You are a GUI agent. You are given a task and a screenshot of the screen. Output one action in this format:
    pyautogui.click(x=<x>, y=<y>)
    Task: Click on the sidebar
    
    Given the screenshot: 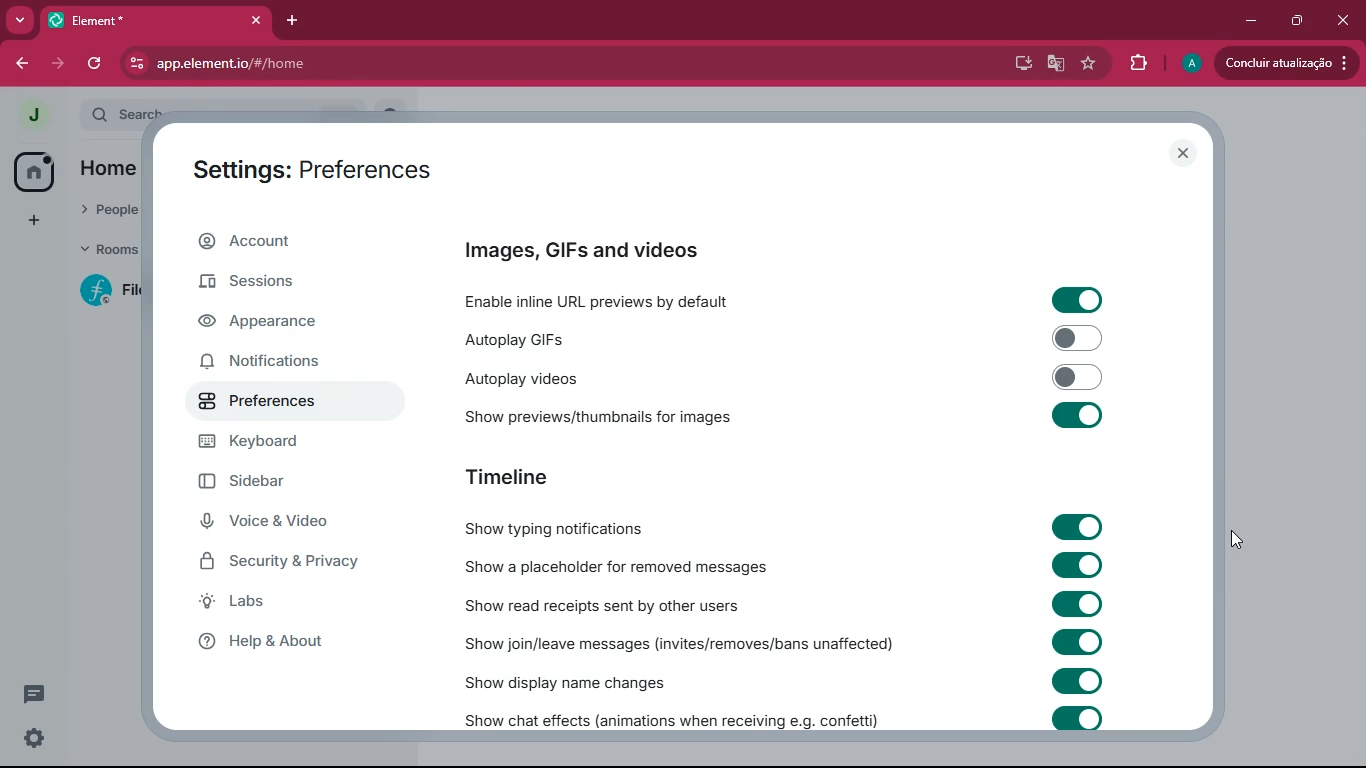 What is the action you would take?
    pyautogui.click(x=260, y=481)
    